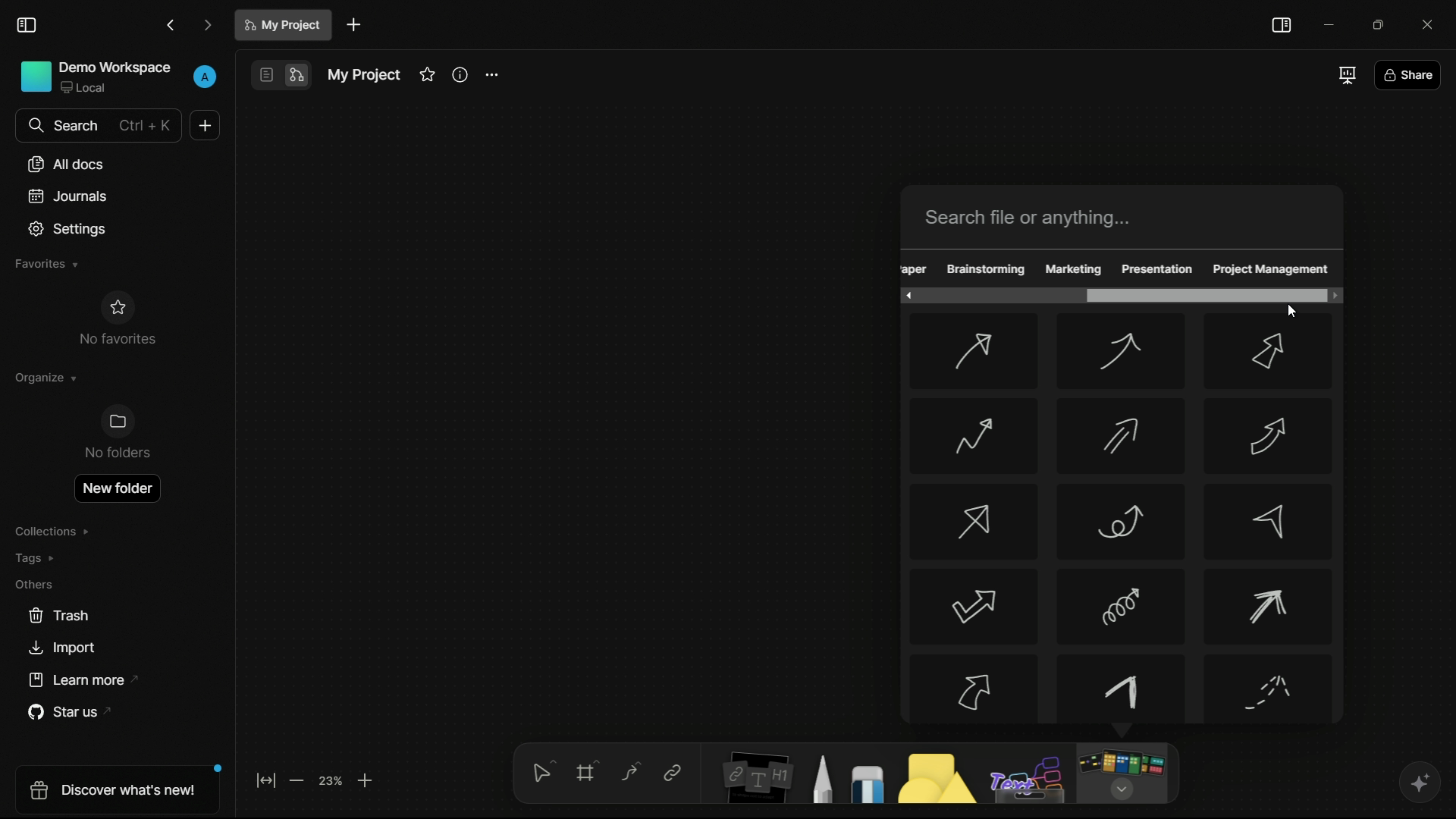 The height and width of the screenshot is (819, 1456). What do you see at coordinates (60, 616) in the screenshot?
I see `trash` at bounding box center [60, 616].